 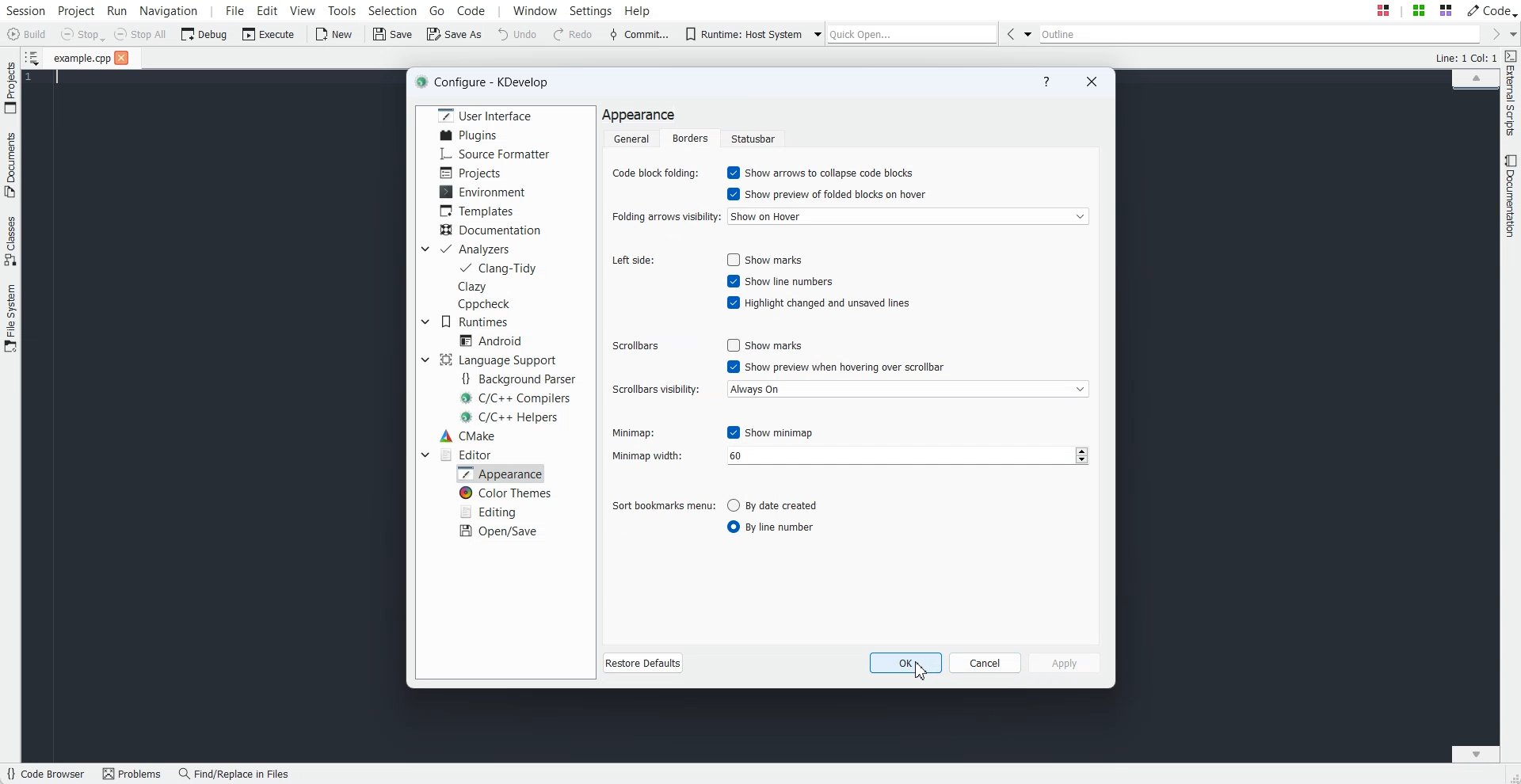 I want to click on Color Themes, so click(x=503, y=493).